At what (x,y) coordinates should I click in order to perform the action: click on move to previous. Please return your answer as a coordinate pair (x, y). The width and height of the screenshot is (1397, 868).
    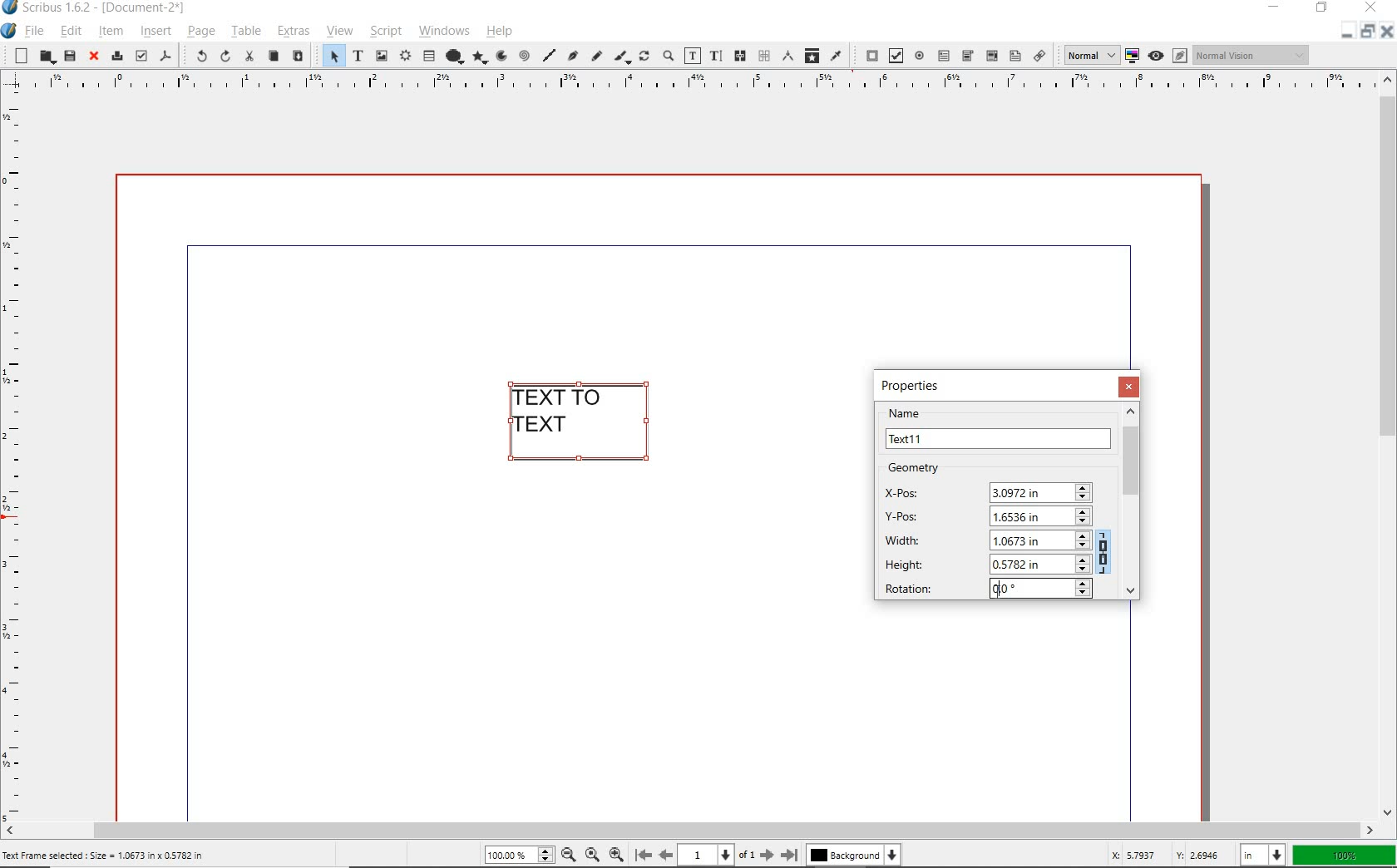
    Looking at the image, I should click on (665, 856).